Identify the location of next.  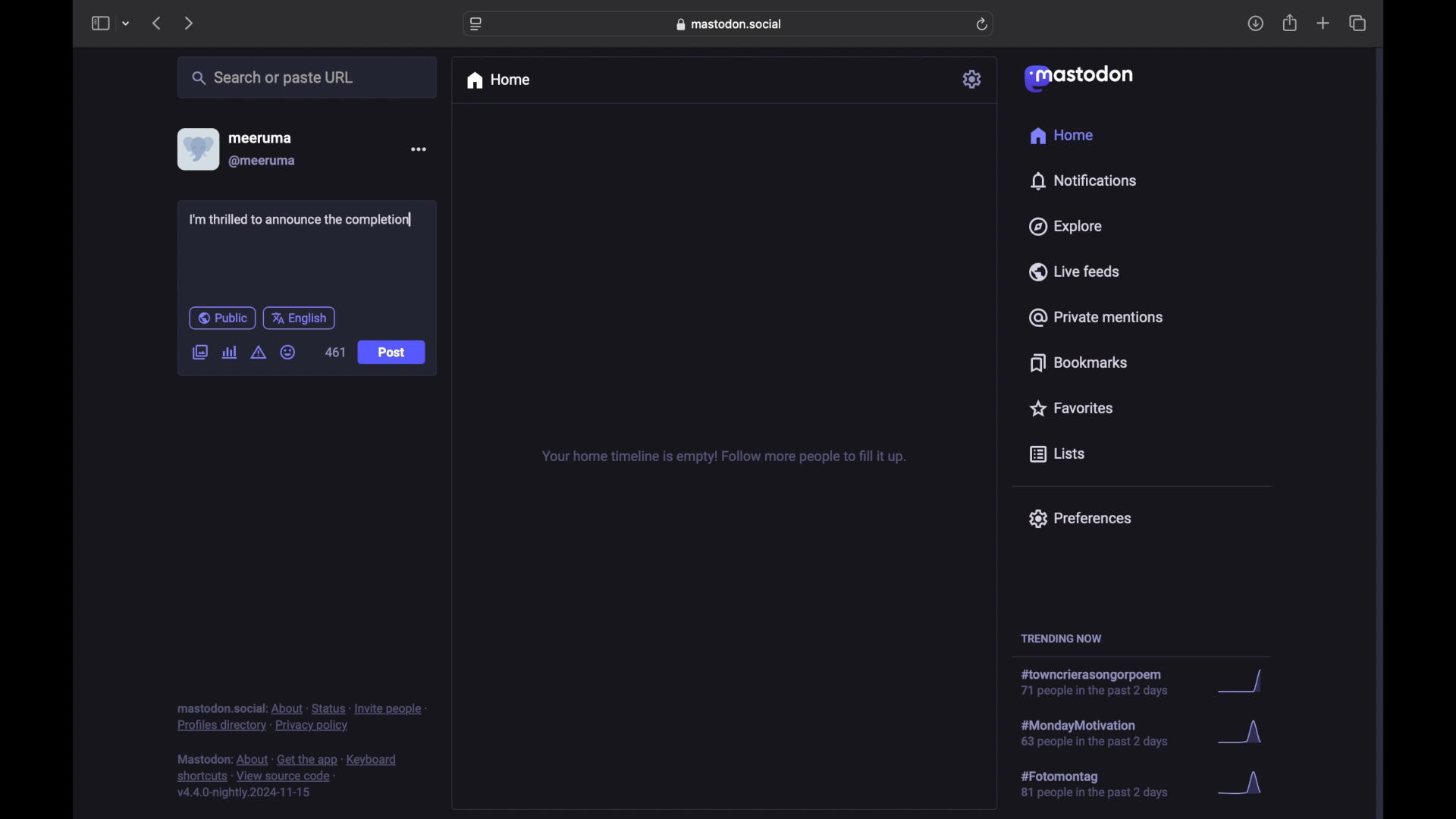
(188, 24).